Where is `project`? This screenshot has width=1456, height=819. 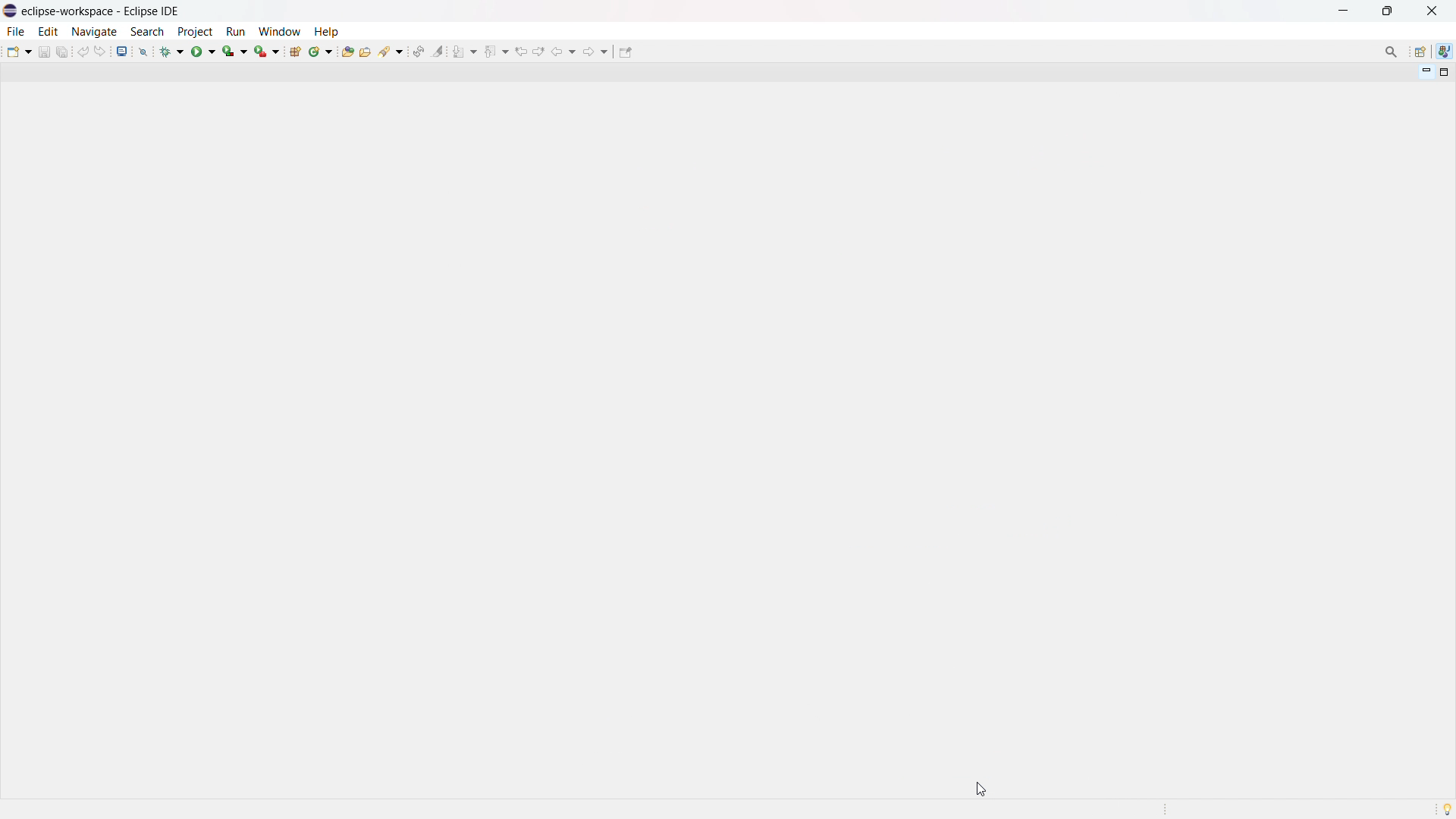 project is located at coordinates (194, 32).